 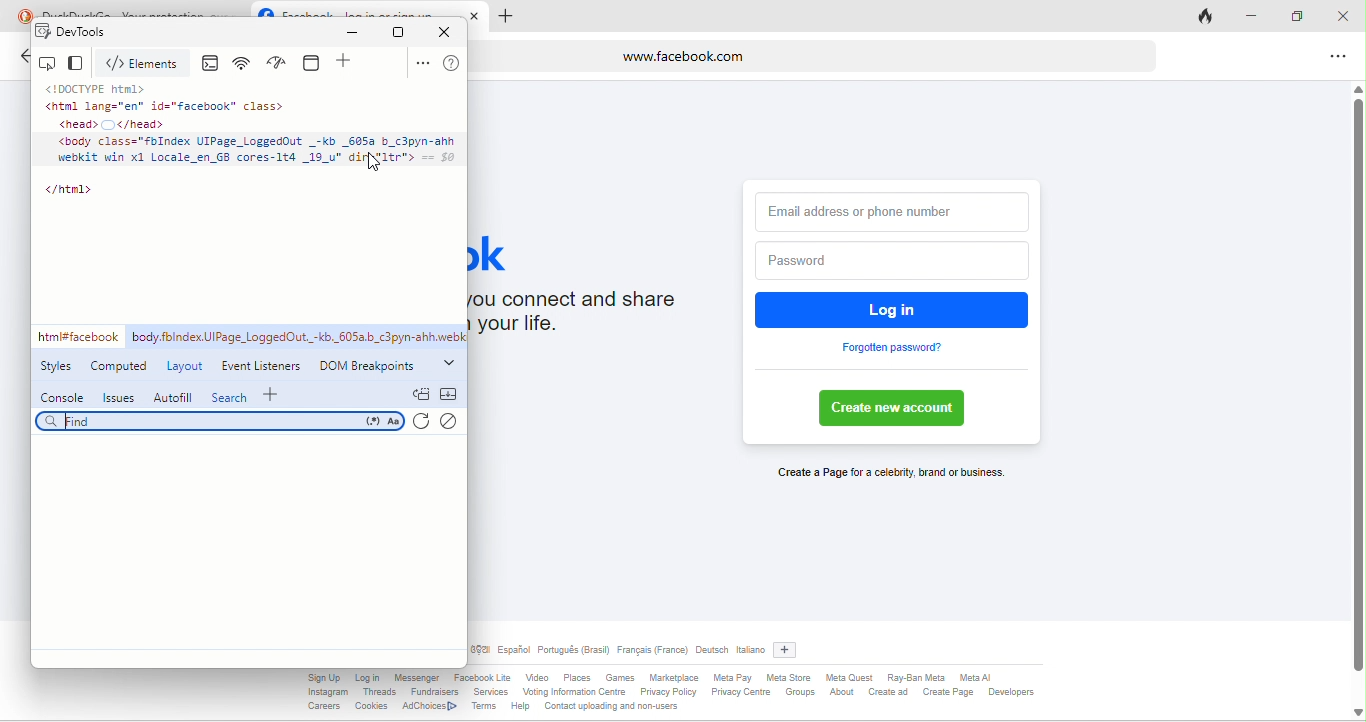 What do you see at coordinates (424, 423) in the screenshot?
I see `refresh` at bounding box center [424, 423].